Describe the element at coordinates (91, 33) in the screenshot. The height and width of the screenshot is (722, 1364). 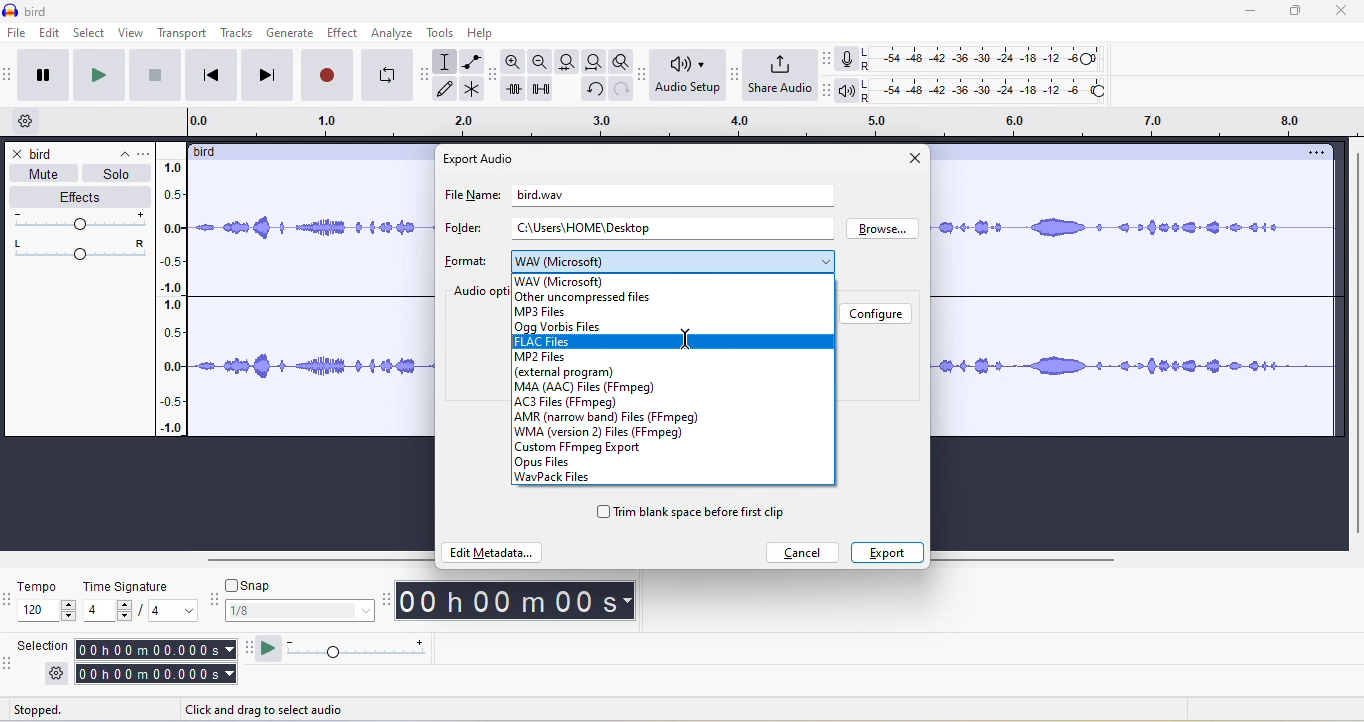
I see `select` at that location.